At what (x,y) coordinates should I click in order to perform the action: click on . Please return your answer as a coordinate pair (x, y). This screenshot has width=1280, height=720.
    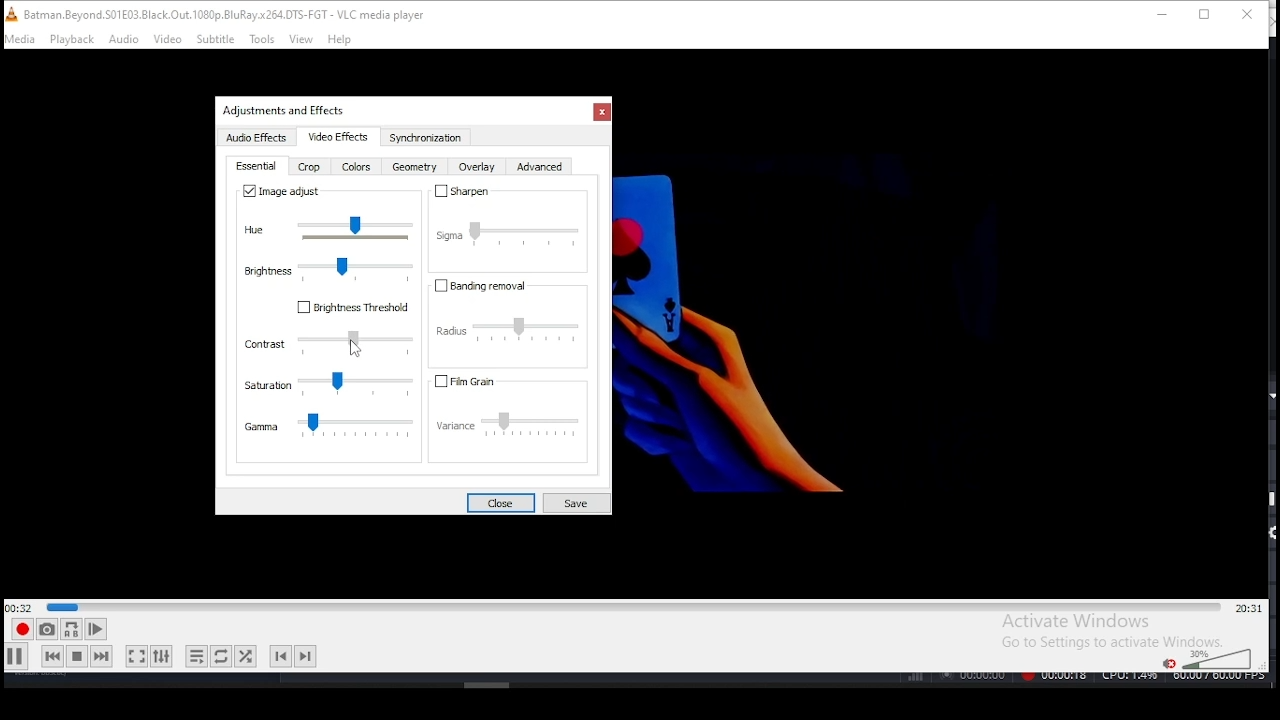
    Looking at the image, I should click on (807, 318).